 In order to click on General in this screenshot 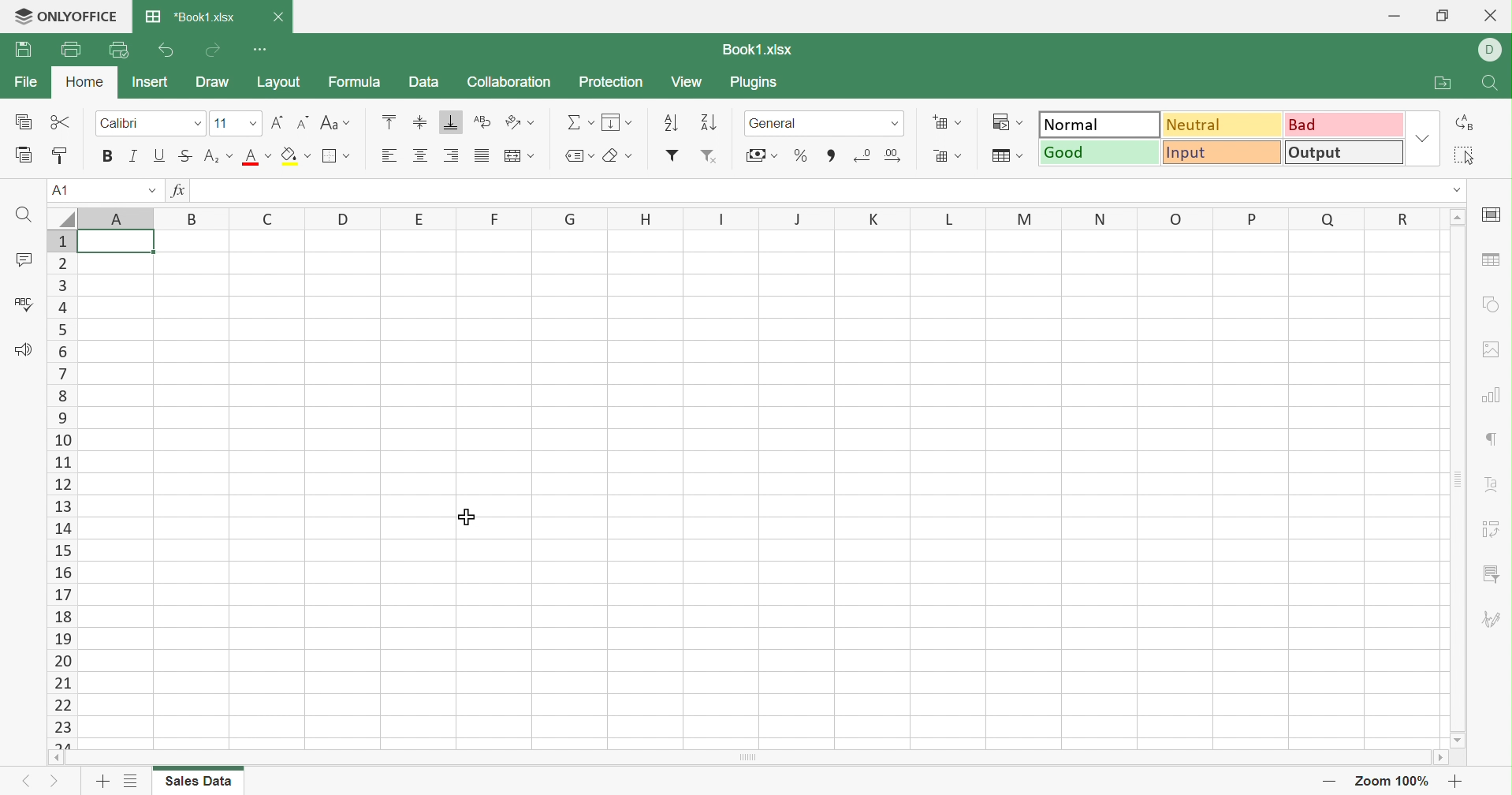, I will do `click(785, 121)`.